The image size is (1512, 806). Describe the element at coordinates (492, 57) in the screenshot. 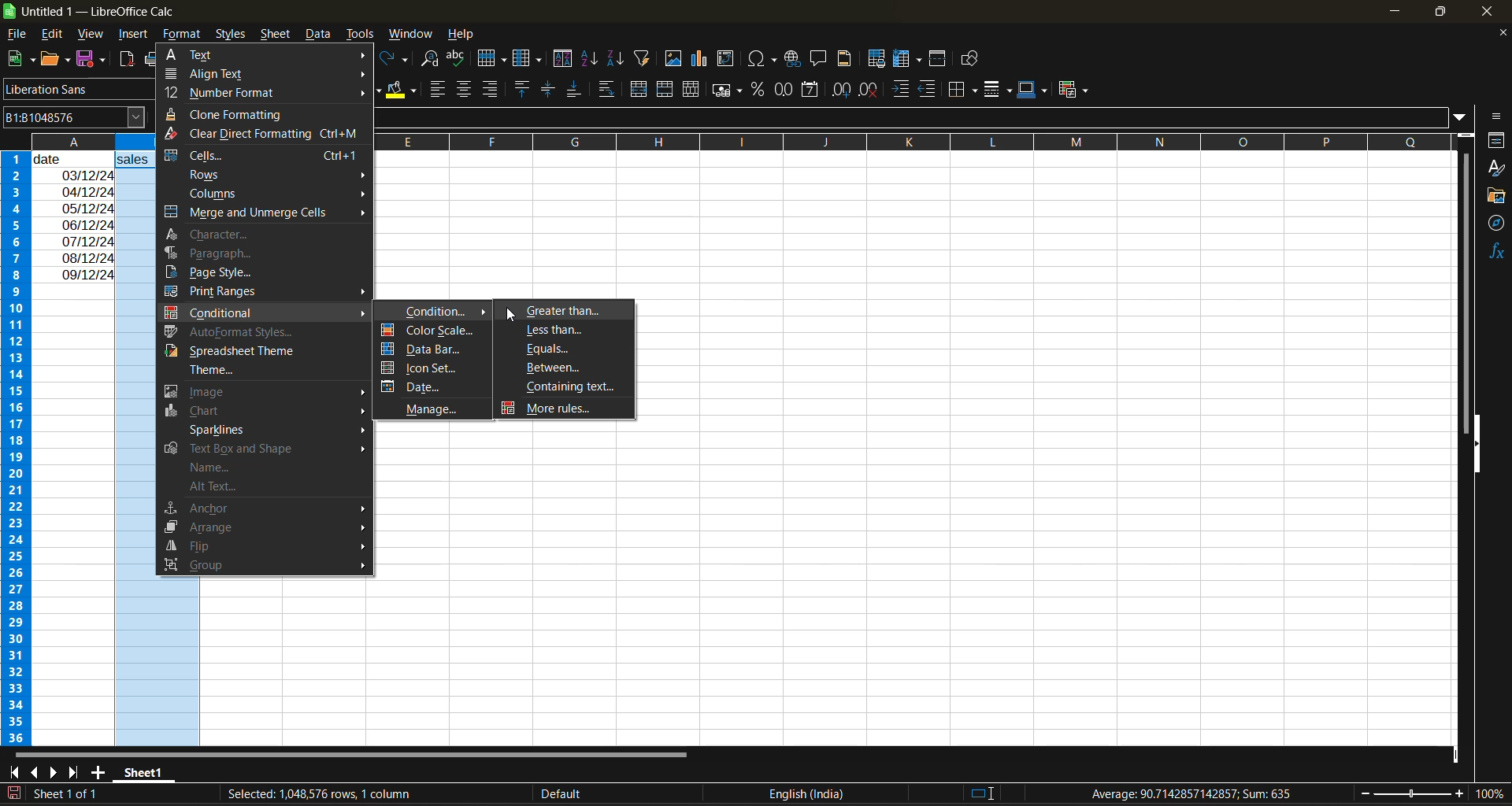

I see `row` at that location.